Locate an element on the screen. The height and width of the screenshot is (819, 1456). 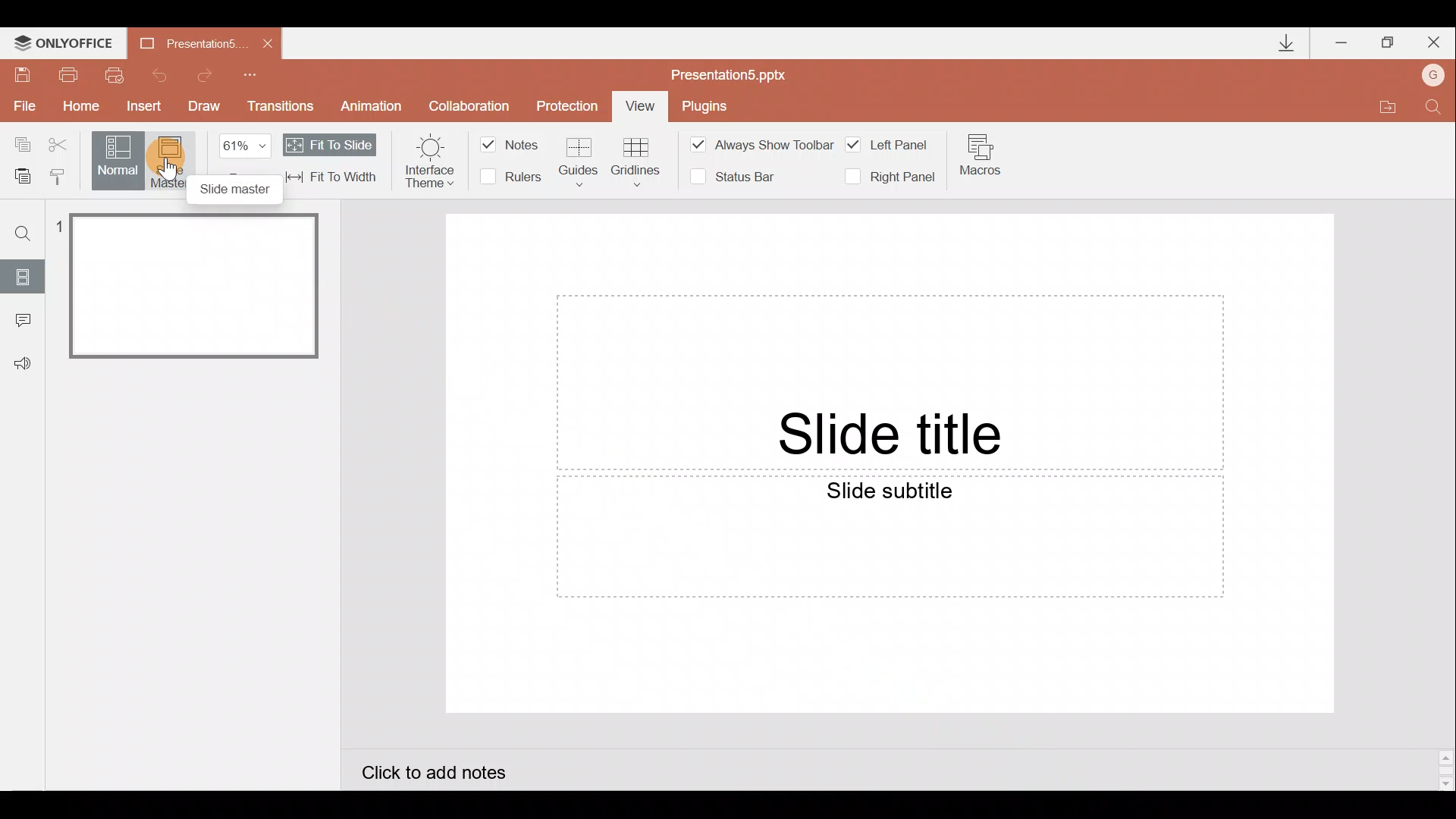
Status bar is located at coordinates (736, 179).